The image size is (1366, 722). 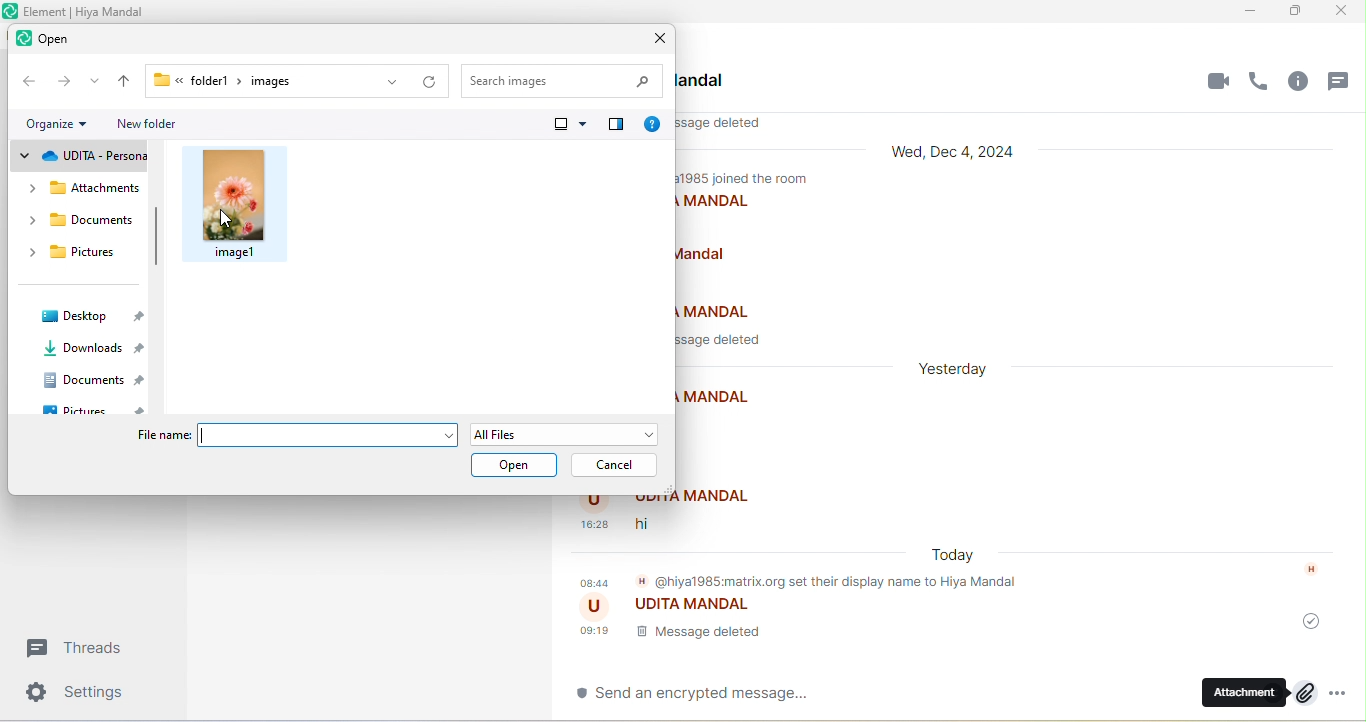 What do you see at coordinates (94, 82) in the screenshot?
I see `recent location ` at bounding box center [94, 82].